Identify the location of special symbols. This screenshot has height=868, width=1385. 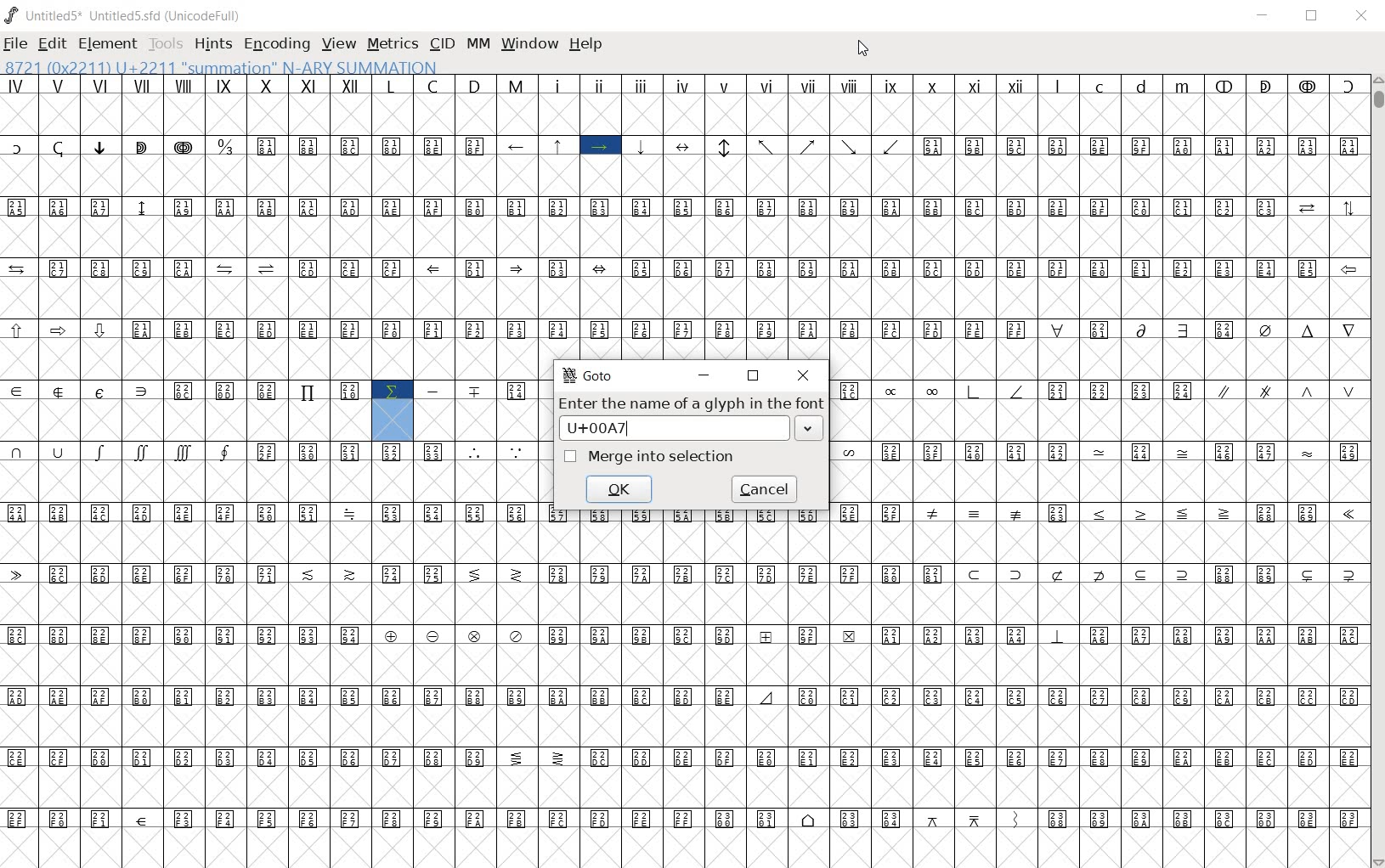
(681, 268).